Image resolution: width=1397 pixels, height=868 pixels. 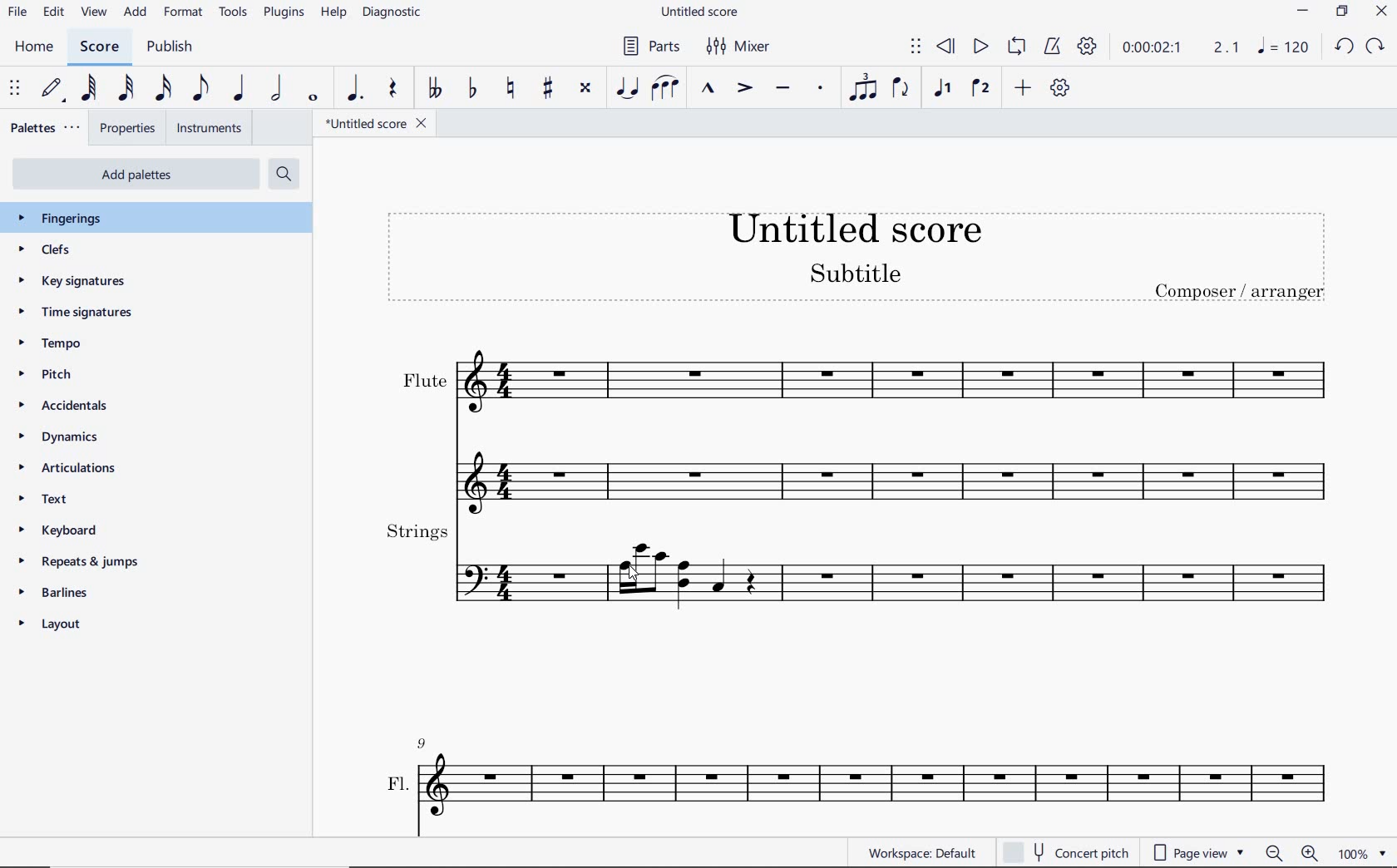 I want to click on rewind, so click(x=946, y=45).